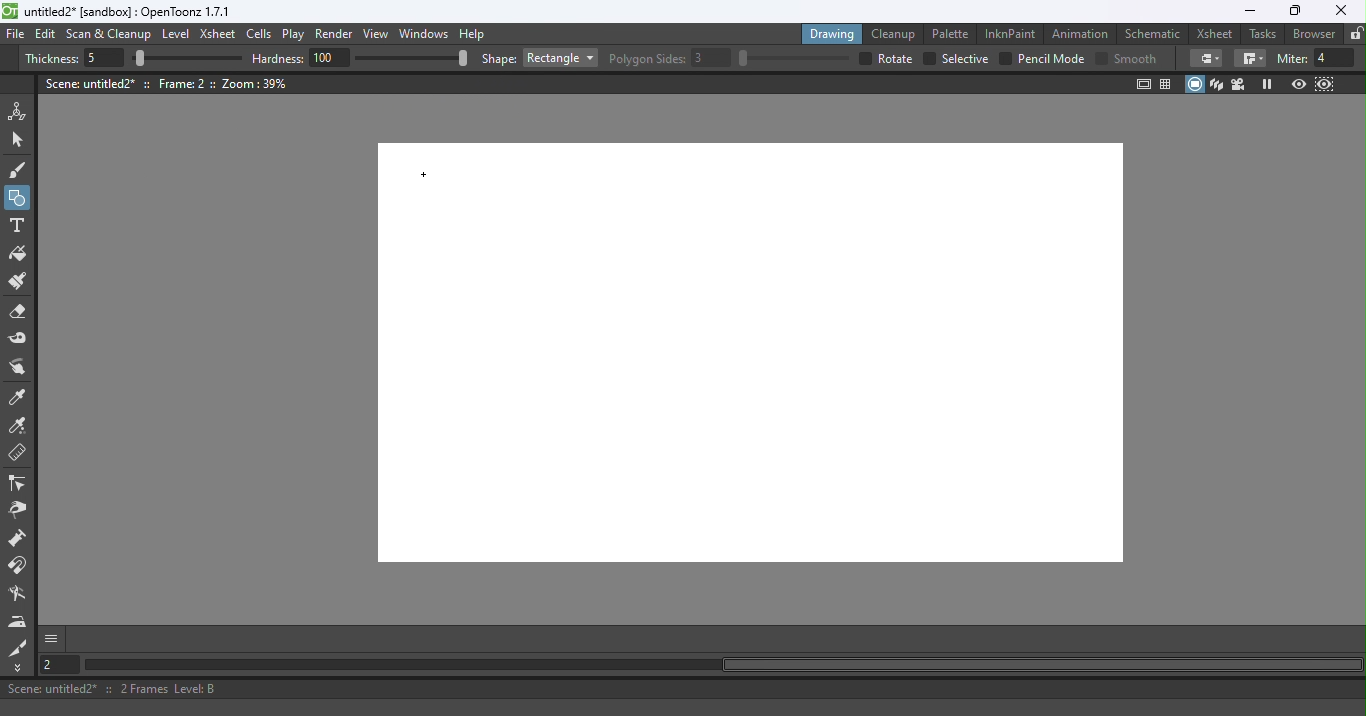  What do you see at coordinates (1005, 58) in the screenshot?
I see `checkbox` at bounding box center [1005, 58].